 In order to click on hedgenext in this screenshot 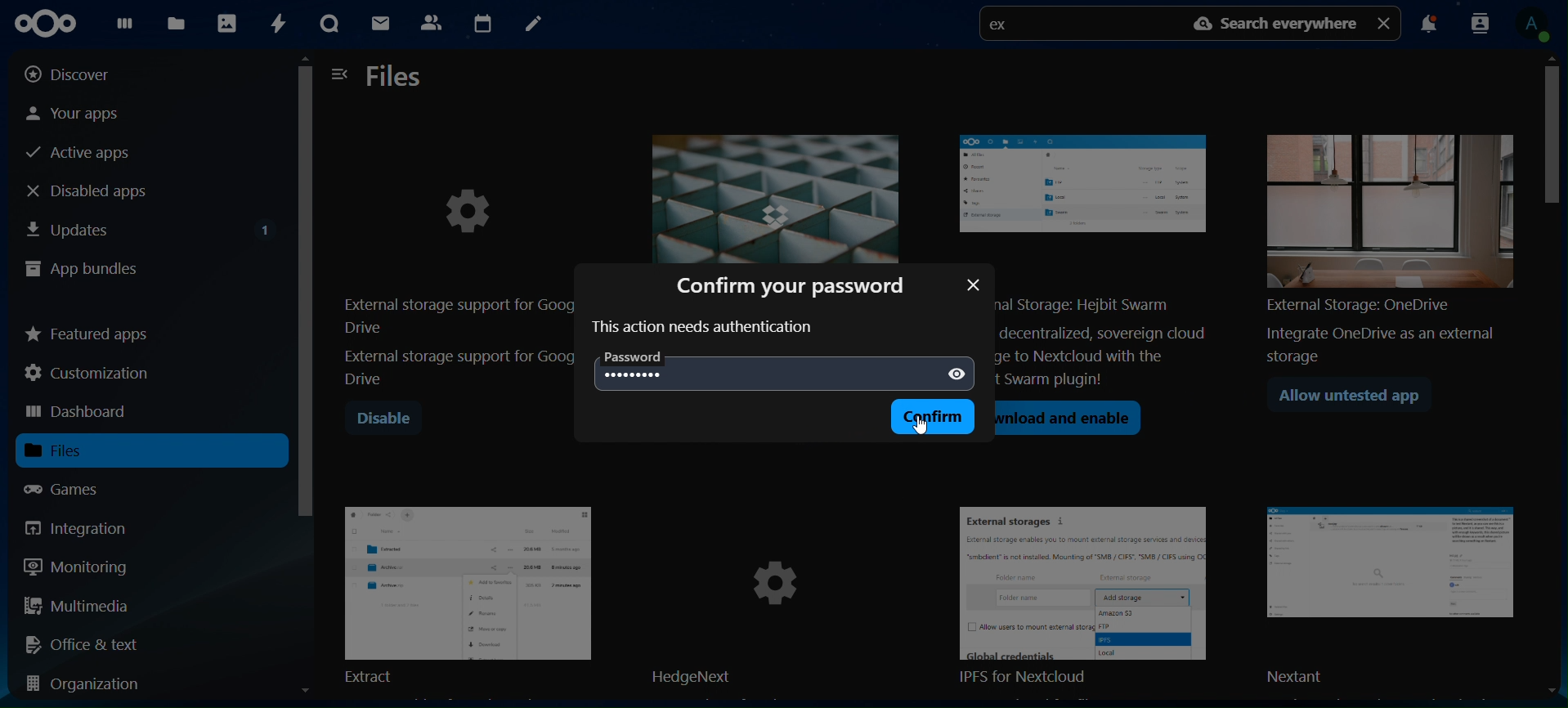, I will do `click(778, 598)`.